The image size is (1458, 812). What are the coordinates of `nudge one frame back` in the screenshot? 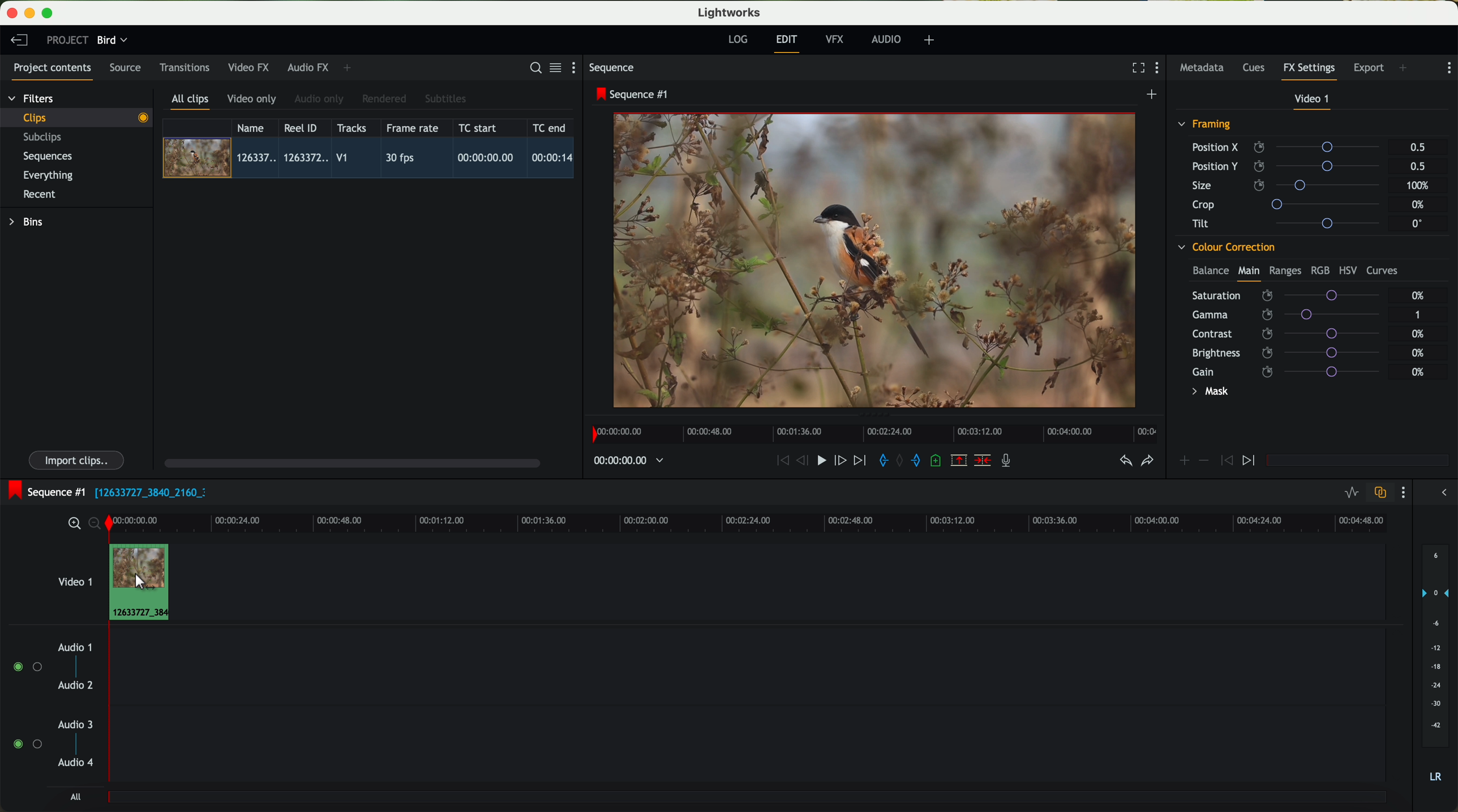 It's located at (804, 462).